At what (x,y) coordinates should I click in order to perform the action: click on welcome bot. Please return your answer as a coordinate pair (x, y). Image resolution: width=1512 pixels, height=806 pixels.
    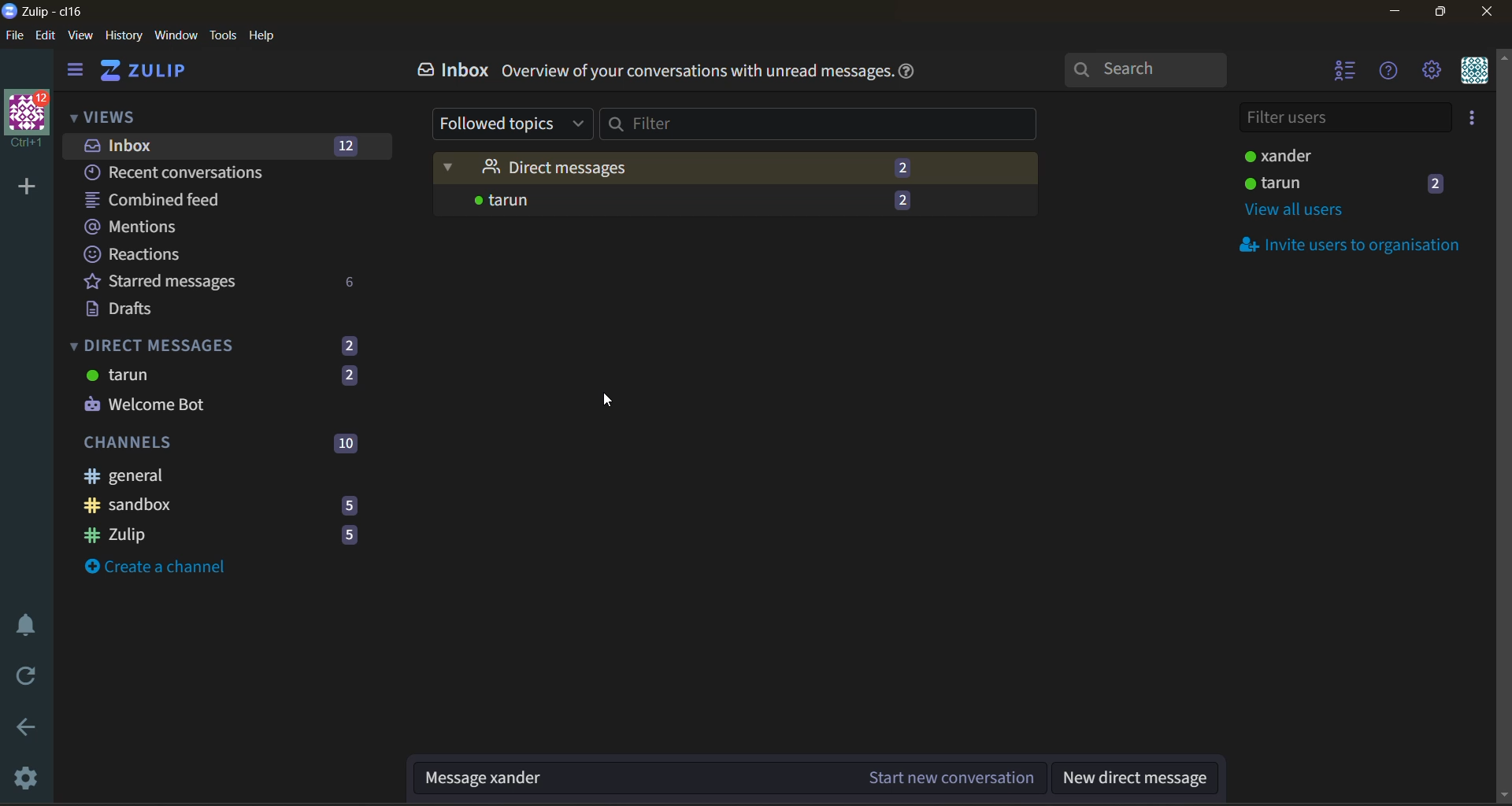
    Looking at the image, I should click on (161, 407).